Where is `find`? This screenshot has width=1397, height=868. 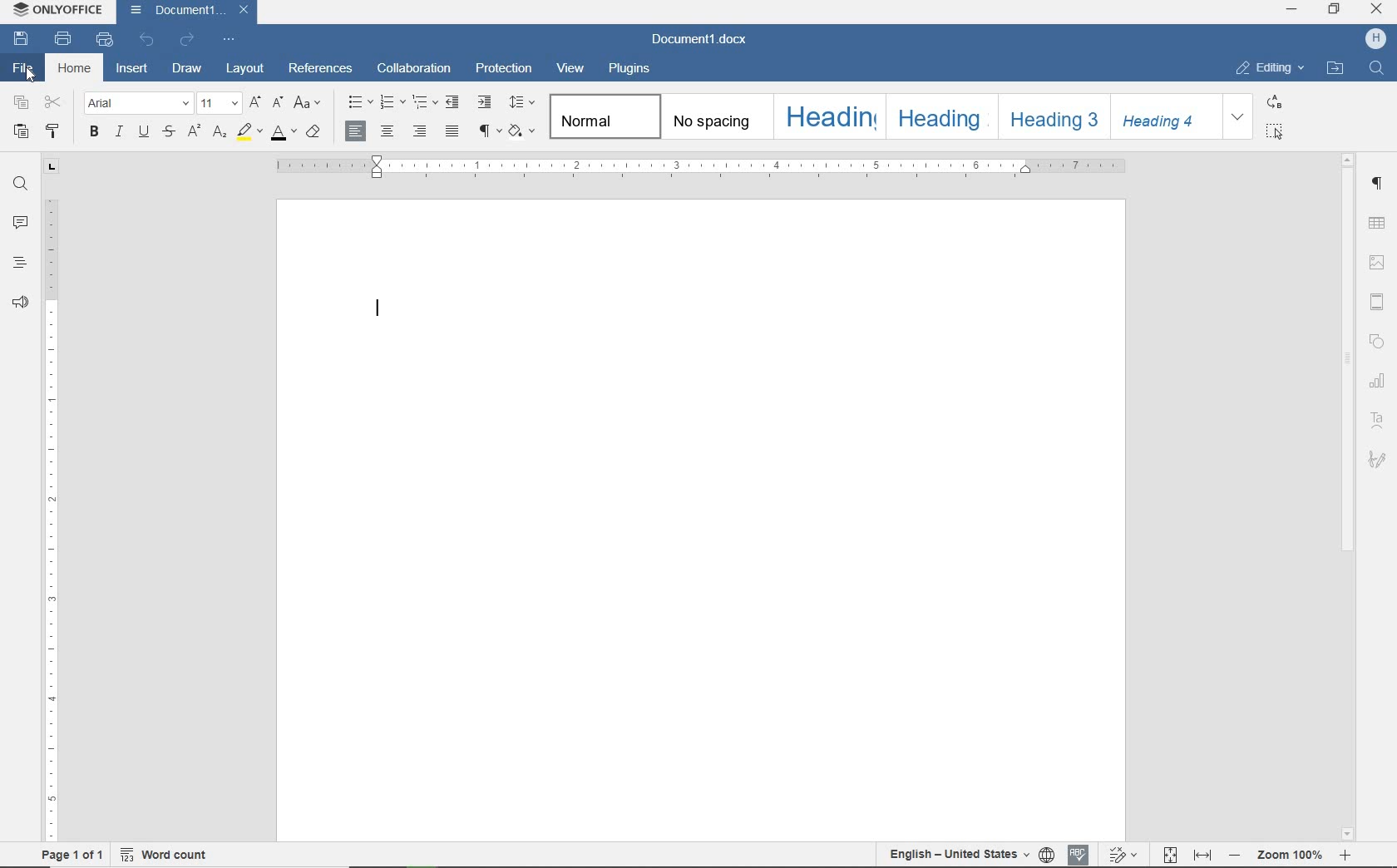
find is located at coordinates (21, 186).